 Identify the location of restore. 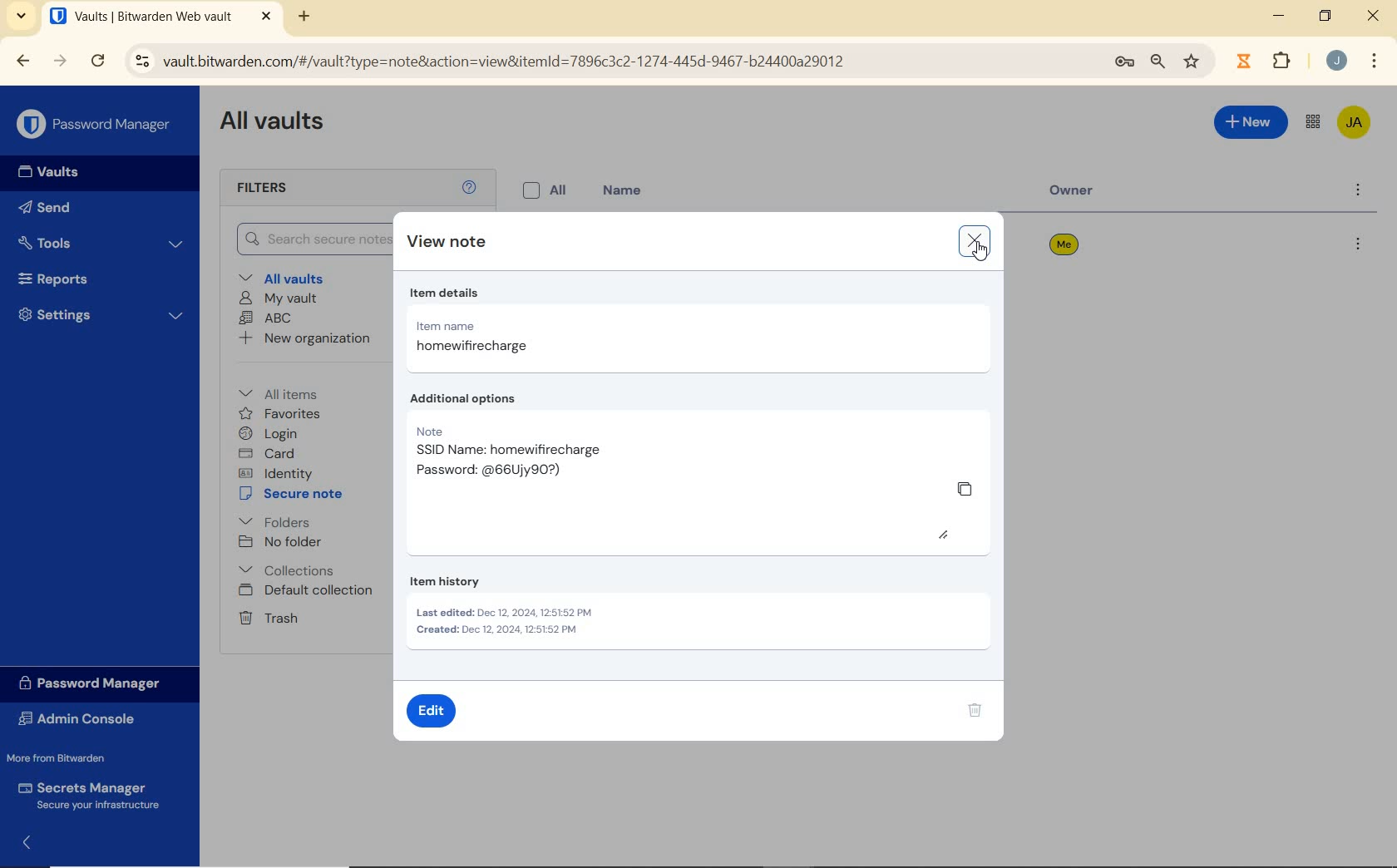
(1325, 16).